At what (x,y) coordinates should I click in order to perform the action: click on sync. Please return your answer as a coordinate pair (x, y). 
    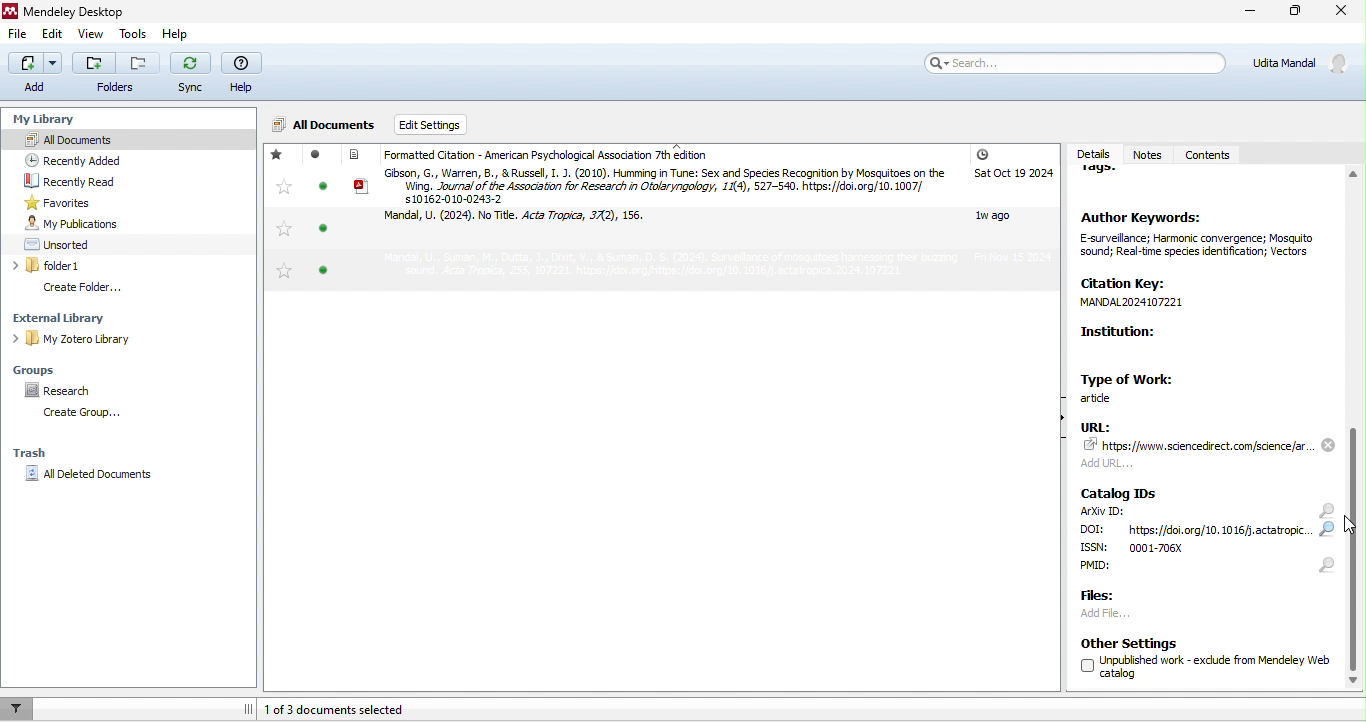
    Looking at the image, I should click on (191, 75).